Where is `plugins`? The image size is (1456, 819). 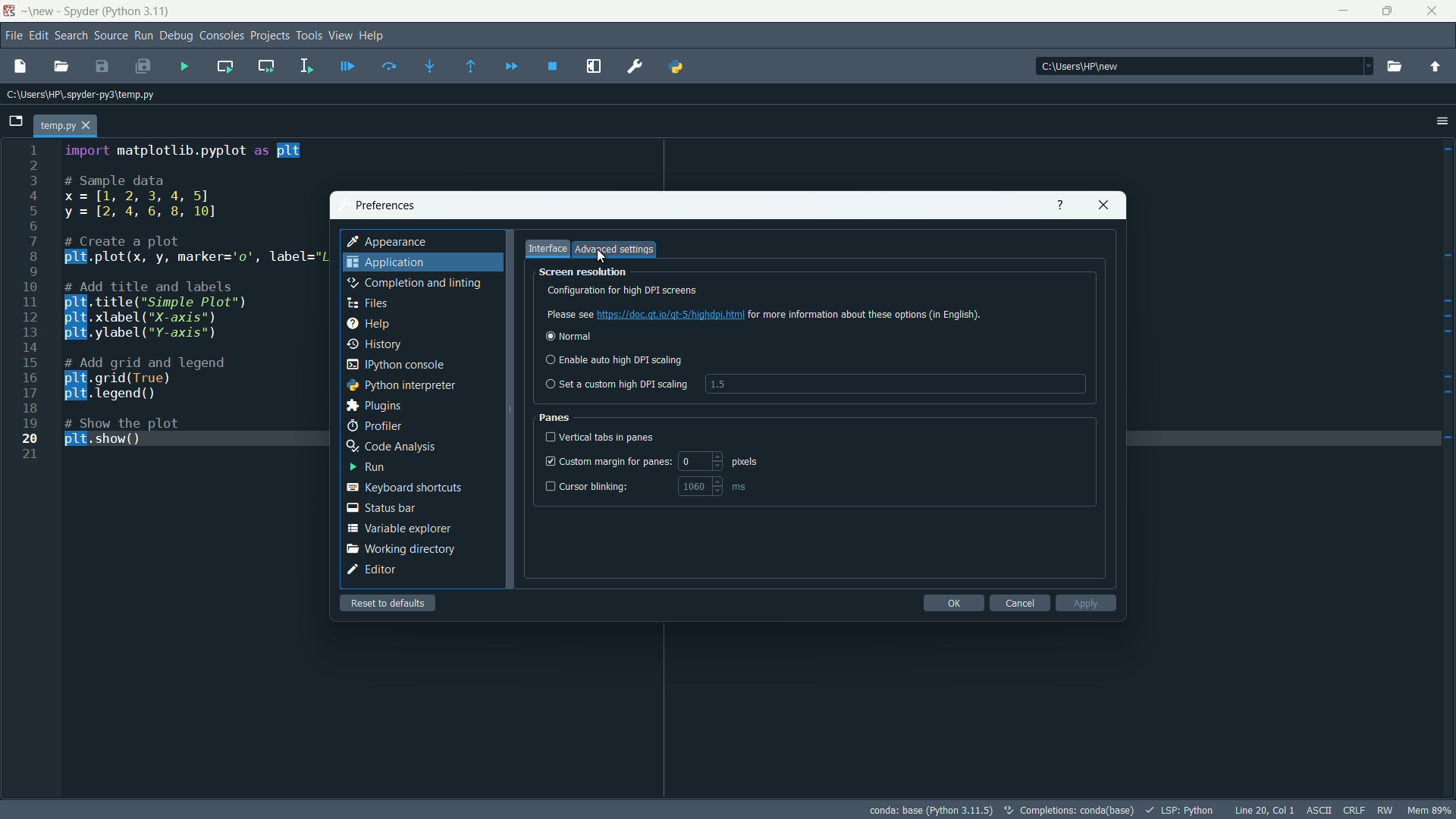
plugins is located at coordinates (376, 406).